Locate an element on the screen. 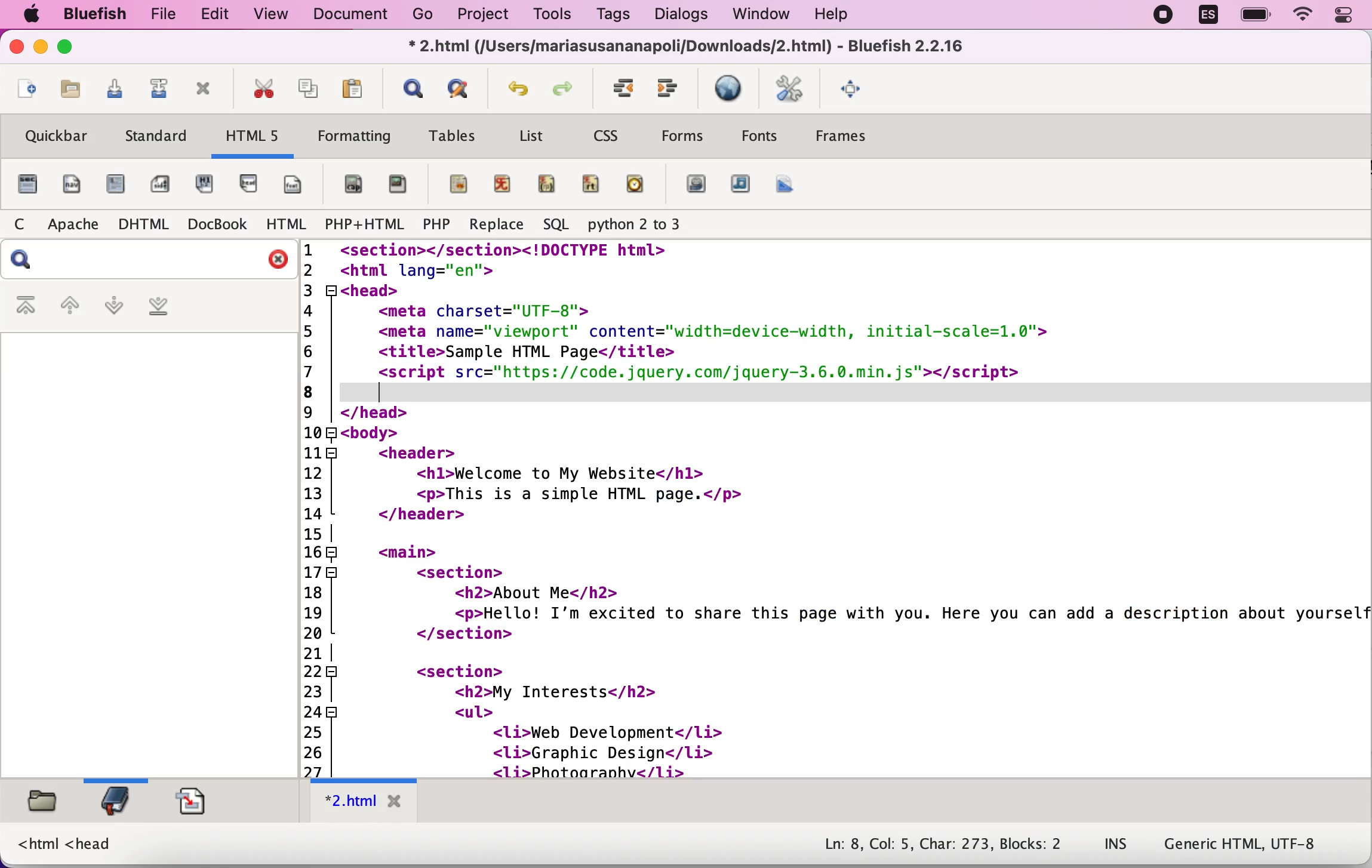  formatting is located at coordinates (353, 138).